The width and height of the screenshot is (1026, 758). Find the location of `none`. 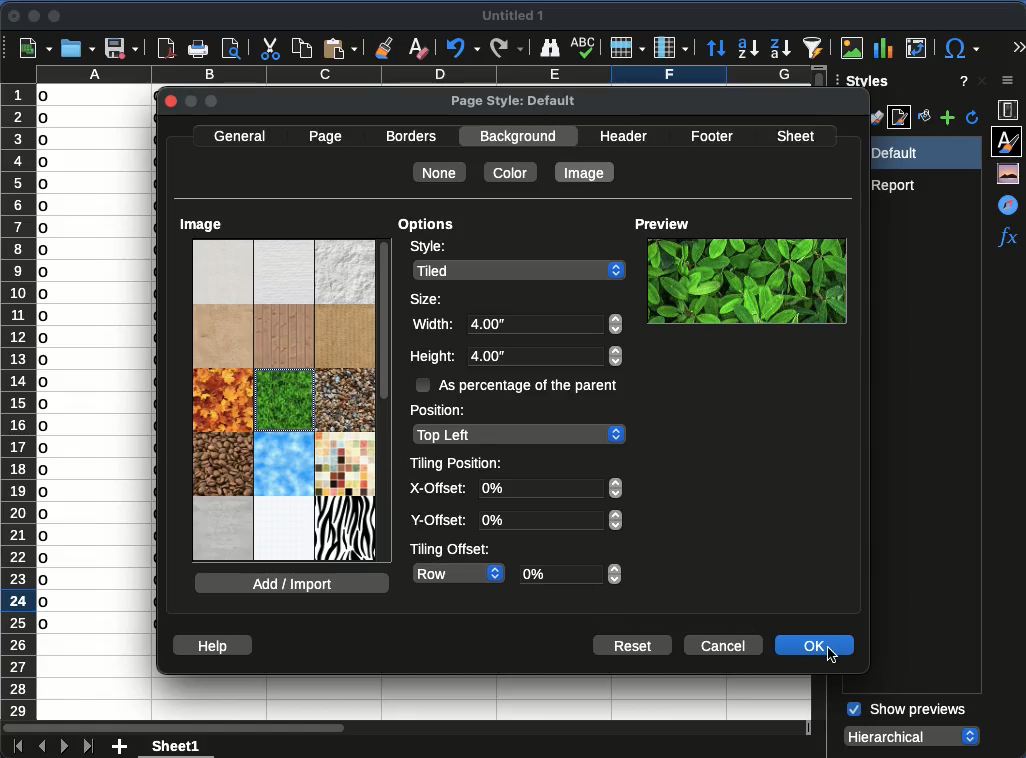

none is located at coordinates (439, 172).